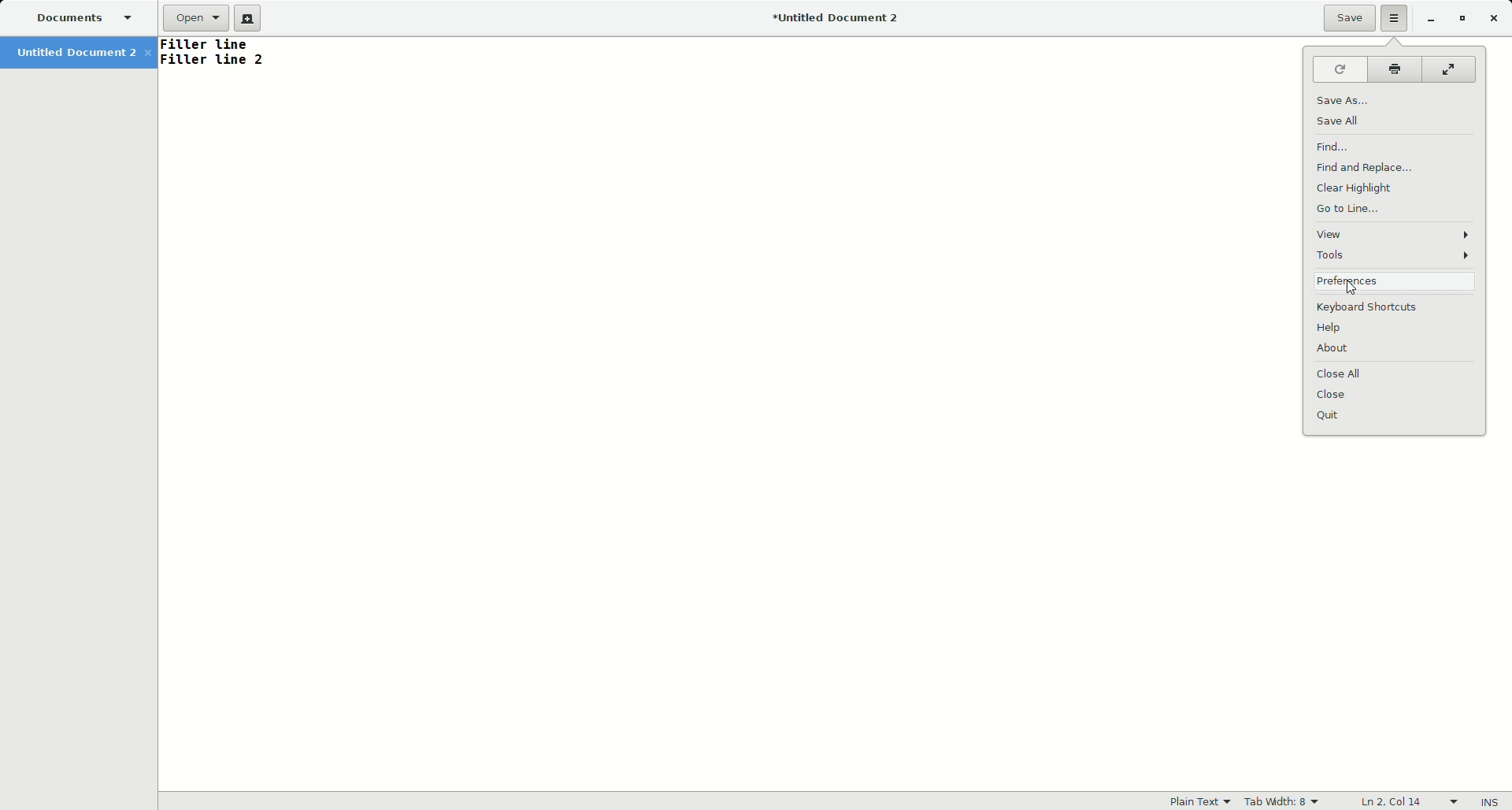 The height and width of the screenshot is (810, 1512). What do you see at coordinates (1430, 19) in the screenshot?
I see `Minimize` at bounding box center [1430, 19].